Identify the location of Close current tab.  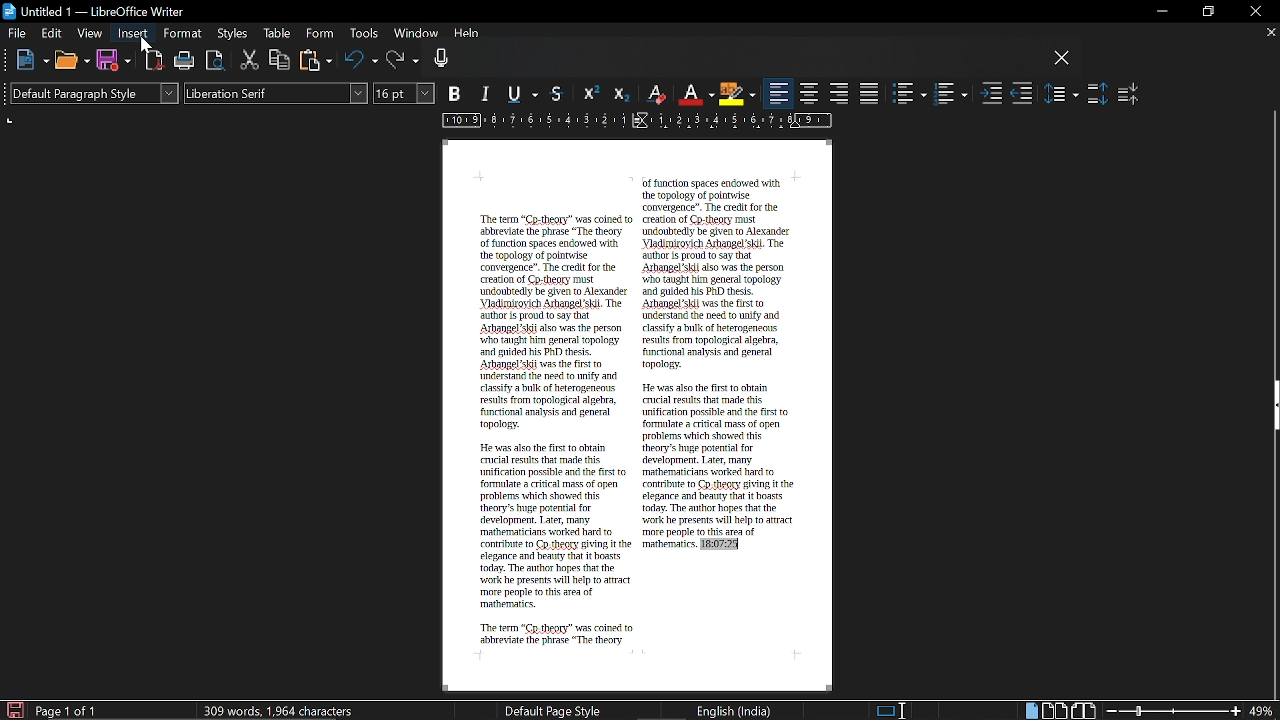
(1270, 32).